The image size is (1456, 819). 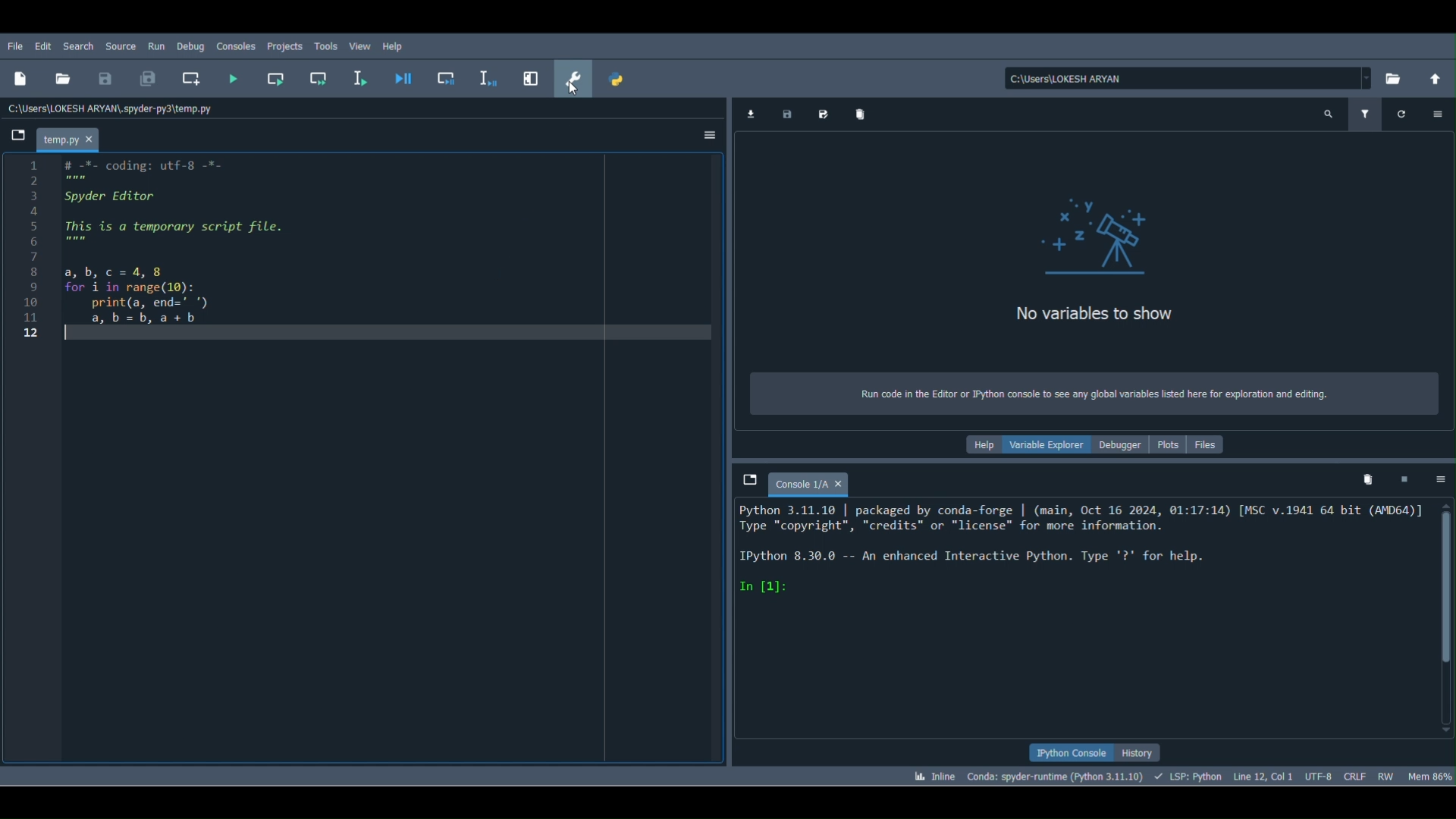 What do you see at coordinates (978, 445) in the screenshot?
I see `Help` at bounding box center [978, 445].